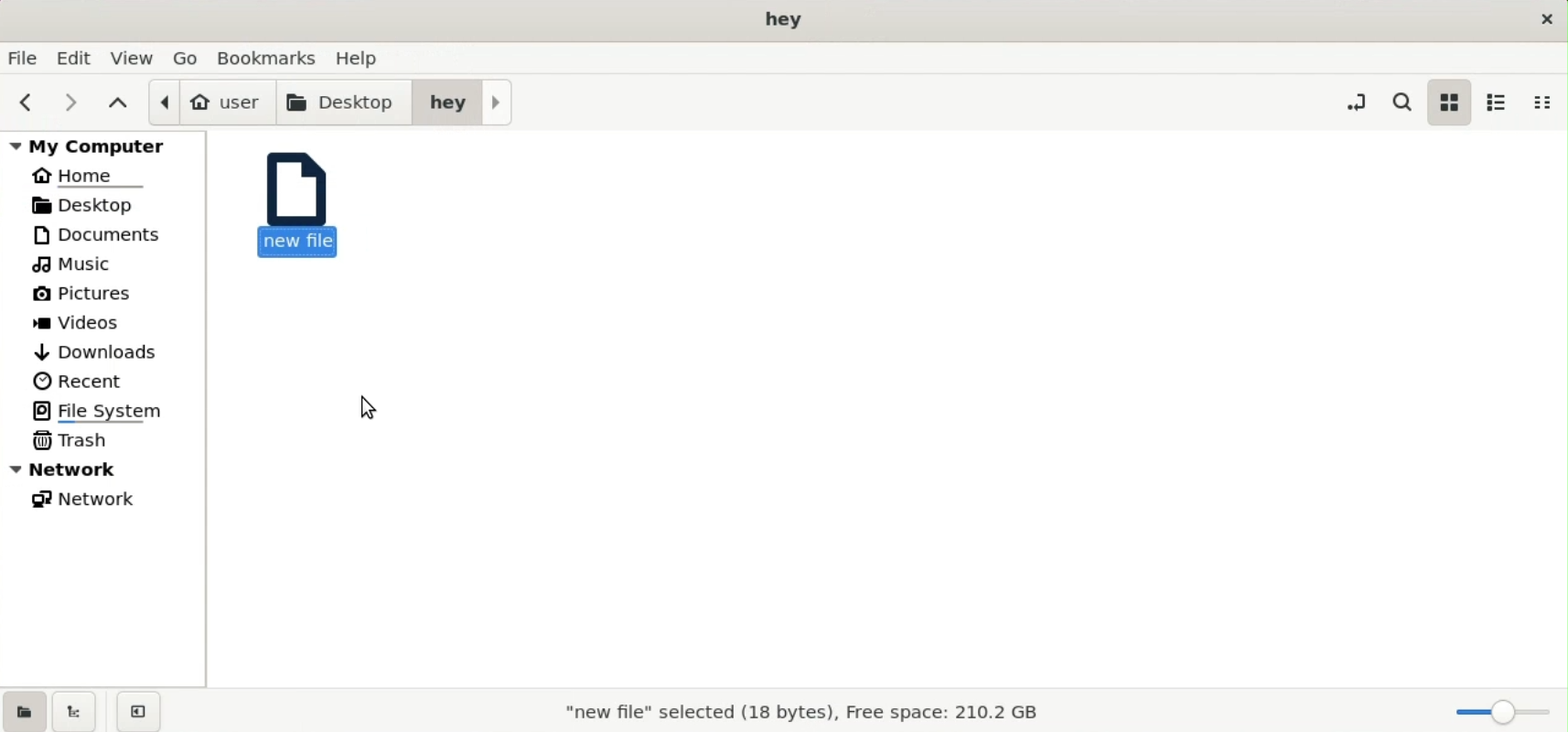  What do you see at coordinates (1356, 101) in the screenshot?
I see `toggle location entry` at bounding box center [1356, 101].